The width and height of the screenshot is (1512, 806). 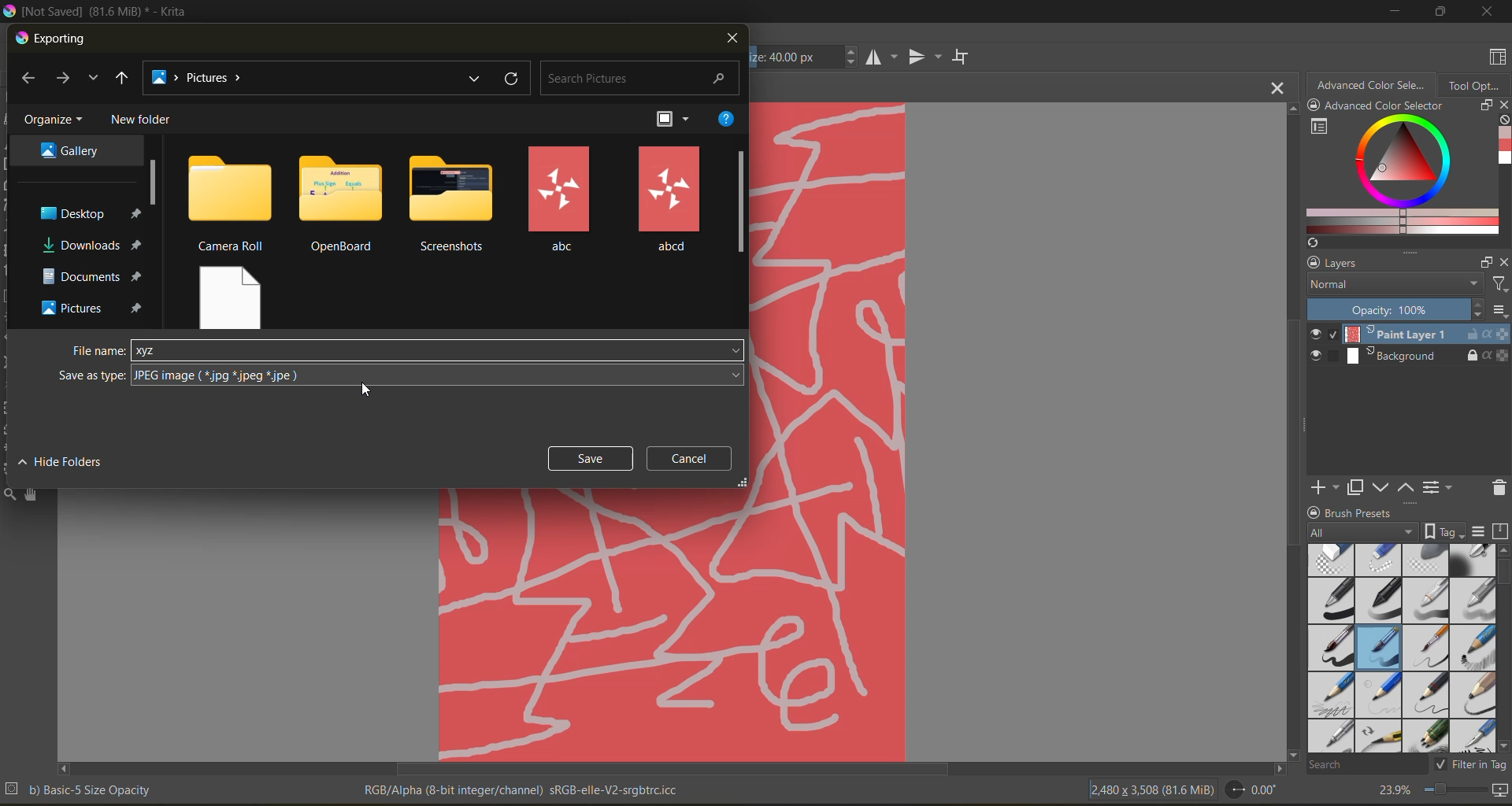 What do you see at coordinates (1392, 285) in the screenshot?
I see `normal` at bounding box center [1392, 285].